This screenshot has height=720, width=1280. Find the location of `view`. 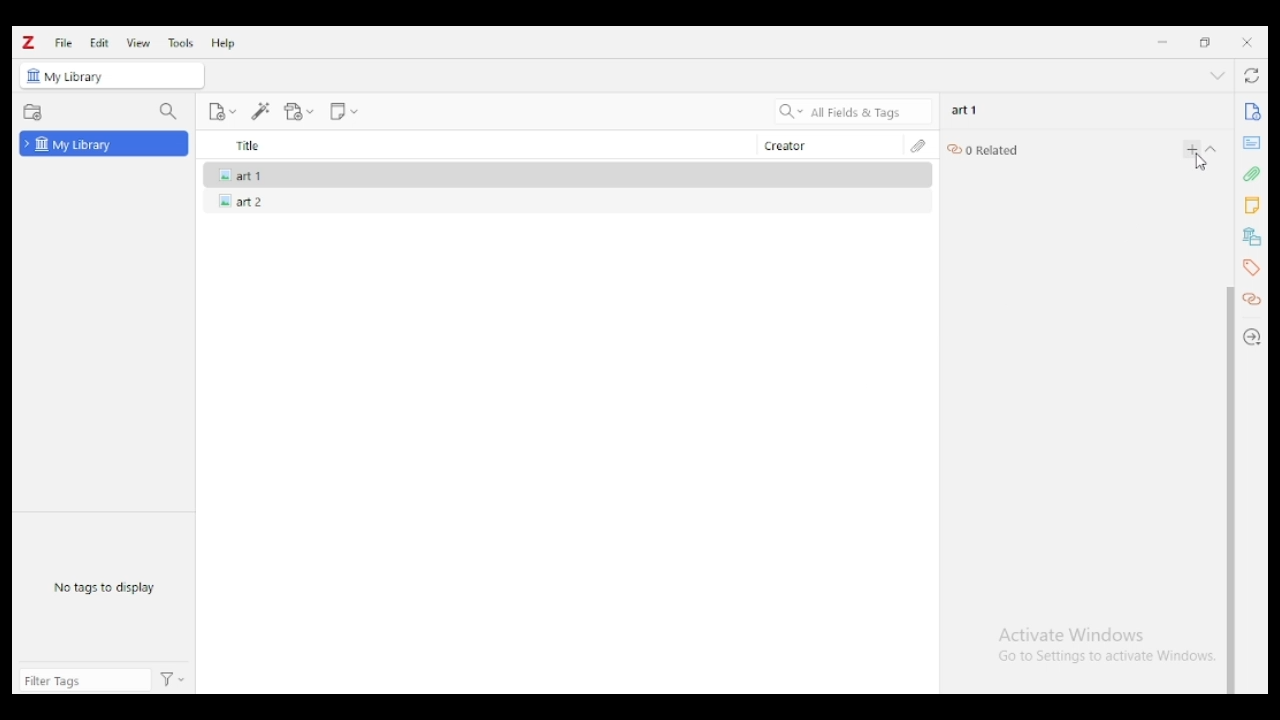

view is located at coordinates (139, 43).